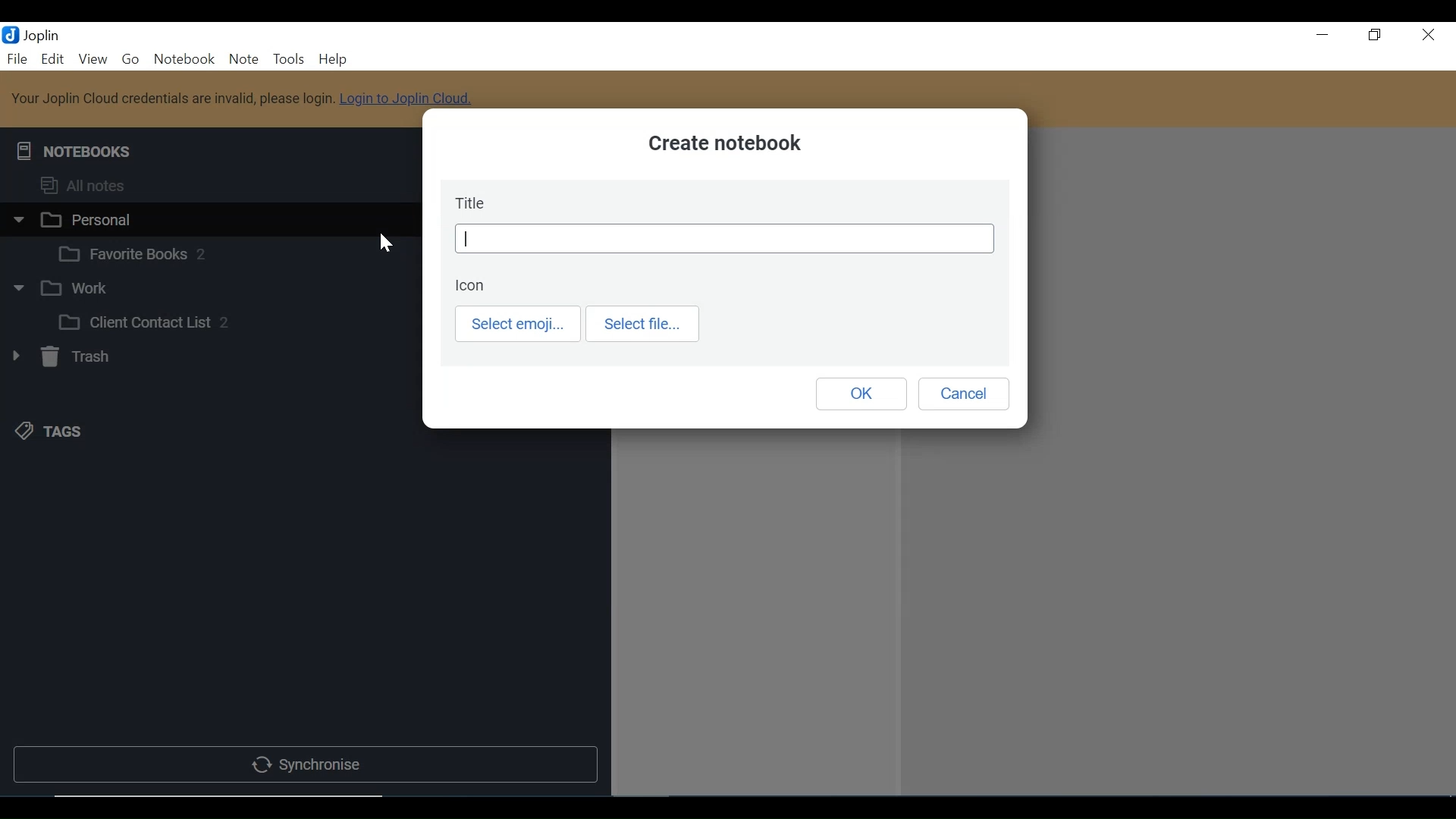 This screenshot has height=819, width=1456. Describe the element at coordinates (388, 244) in the screenshot. I see `Cursor` at that location.